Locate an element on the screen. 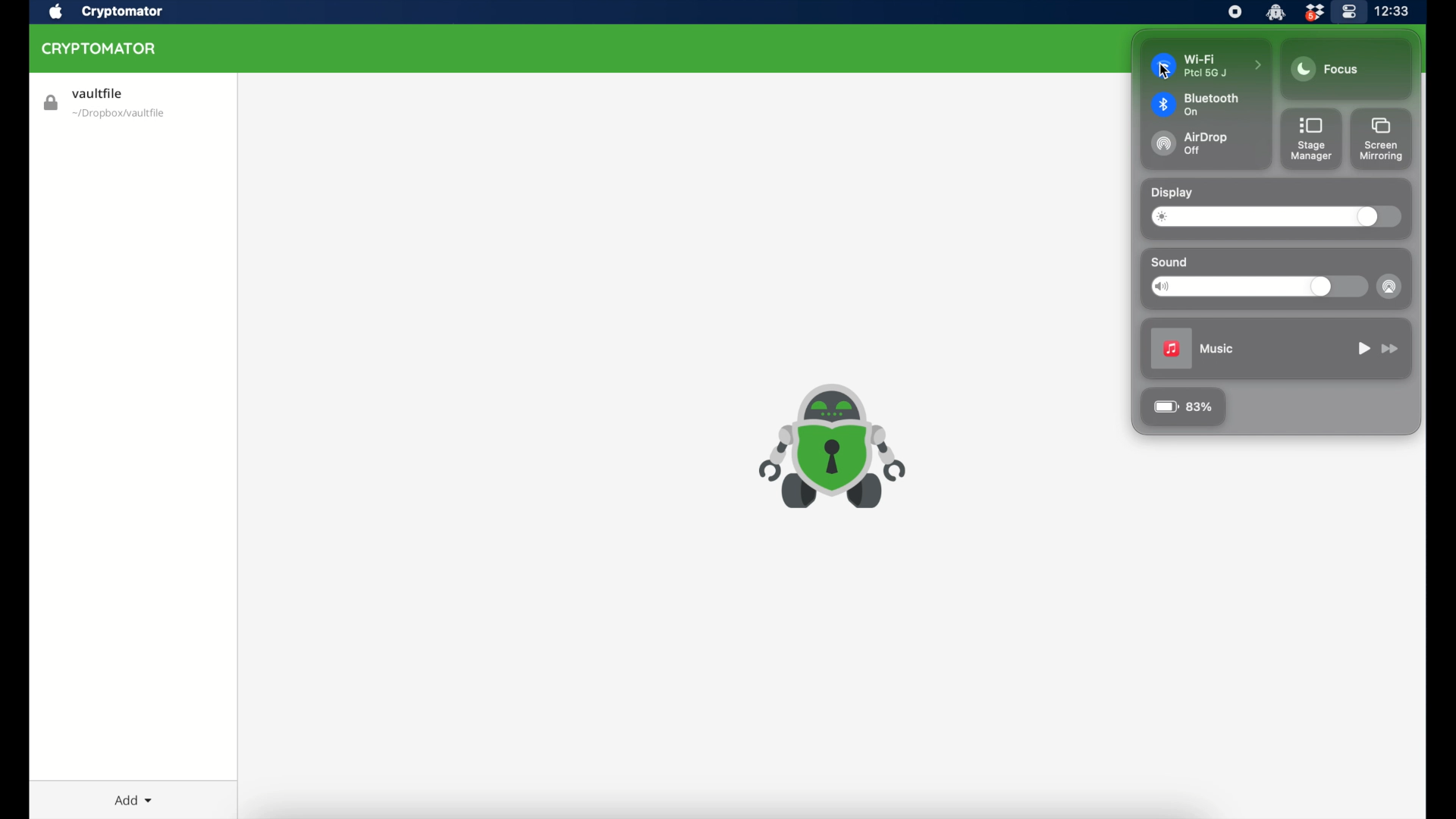  cryptomator is located at coordinates (122, 12).